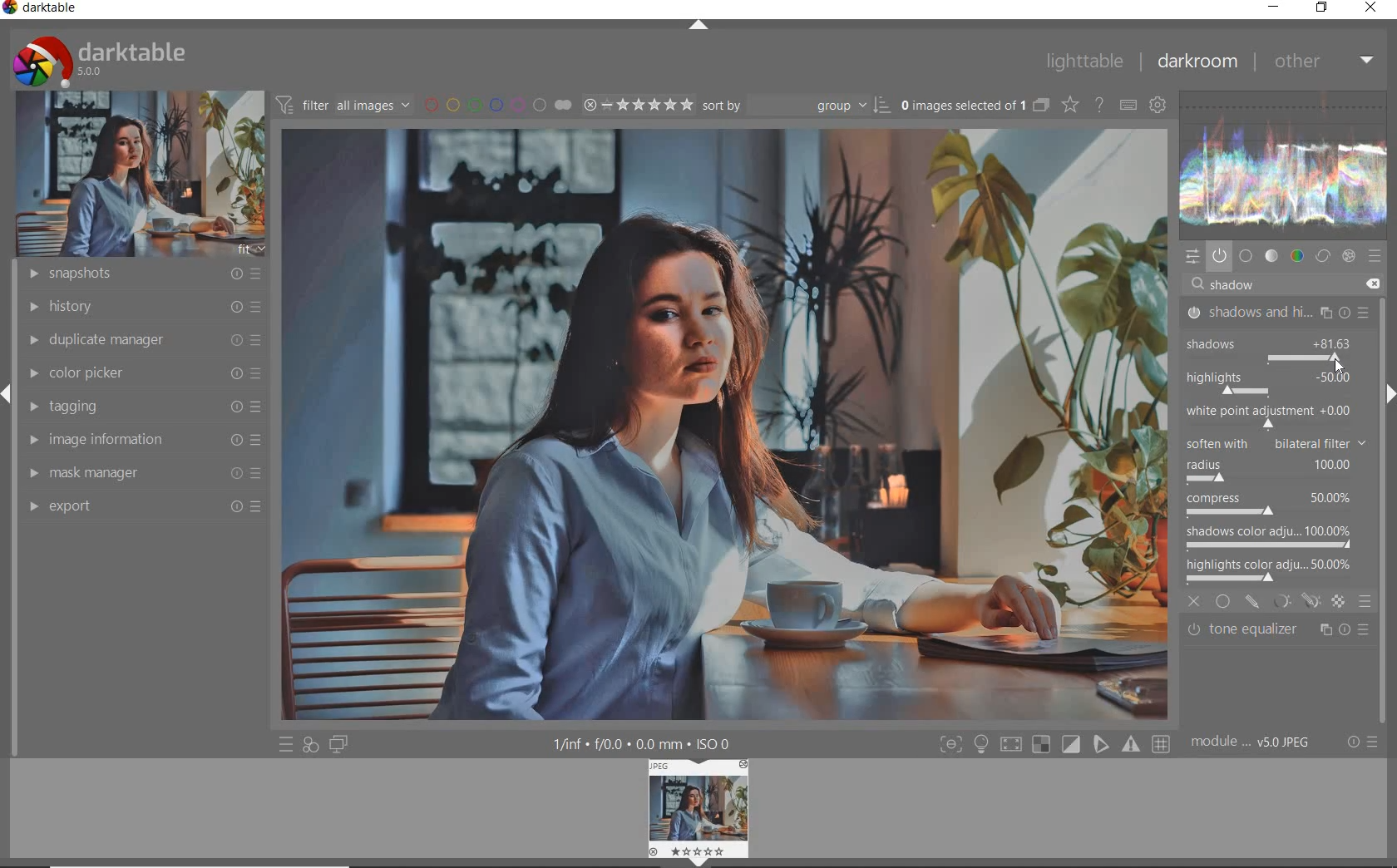 The height and width of the screenshot is (868, 1397). I want to click on correct shadows, so click(1281, 385).